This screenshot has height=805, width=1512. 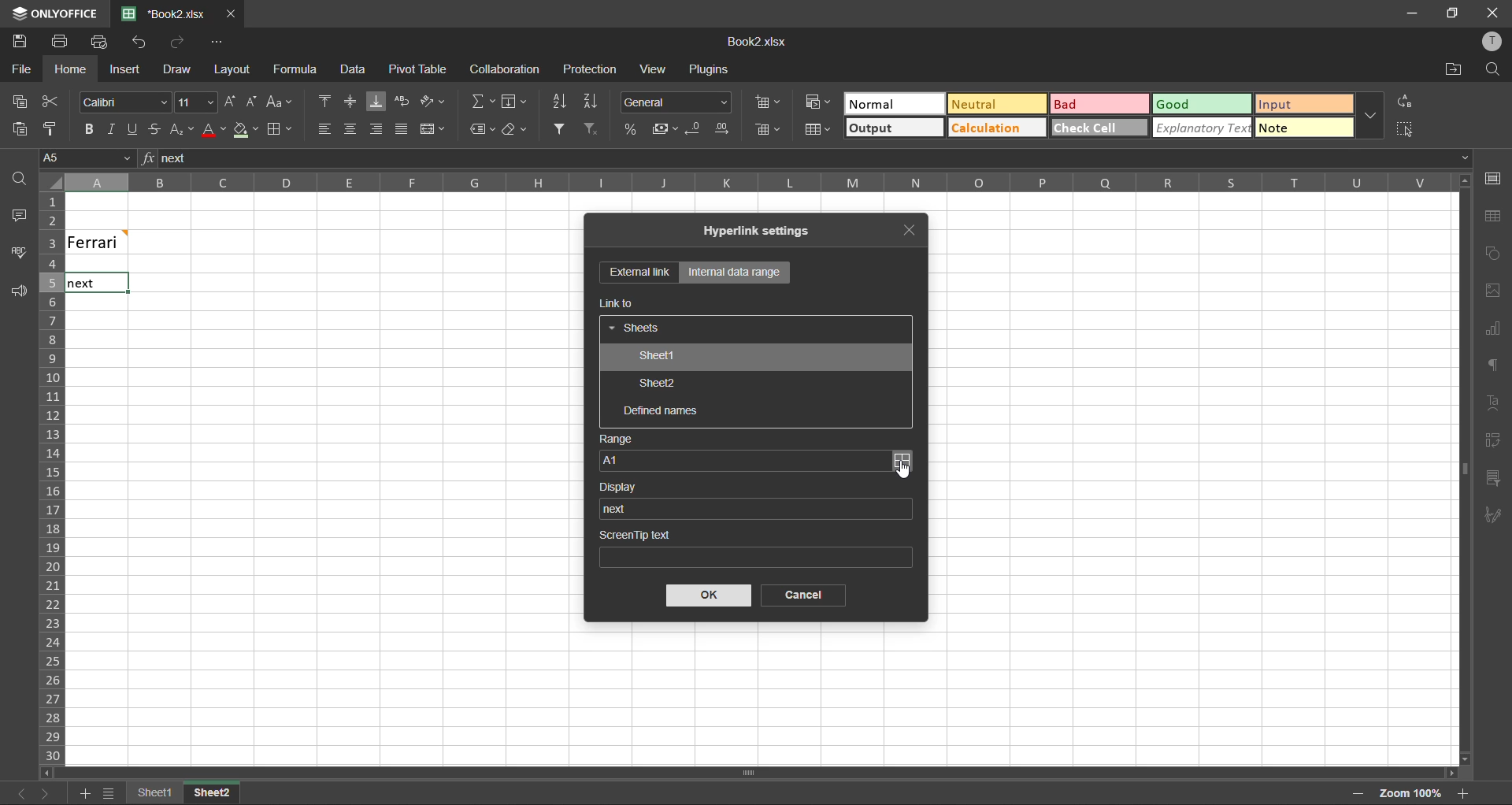 What do you see at coordinates (139, 42) in the screenshot?
I see `undo` at bounding box center [139, 42].